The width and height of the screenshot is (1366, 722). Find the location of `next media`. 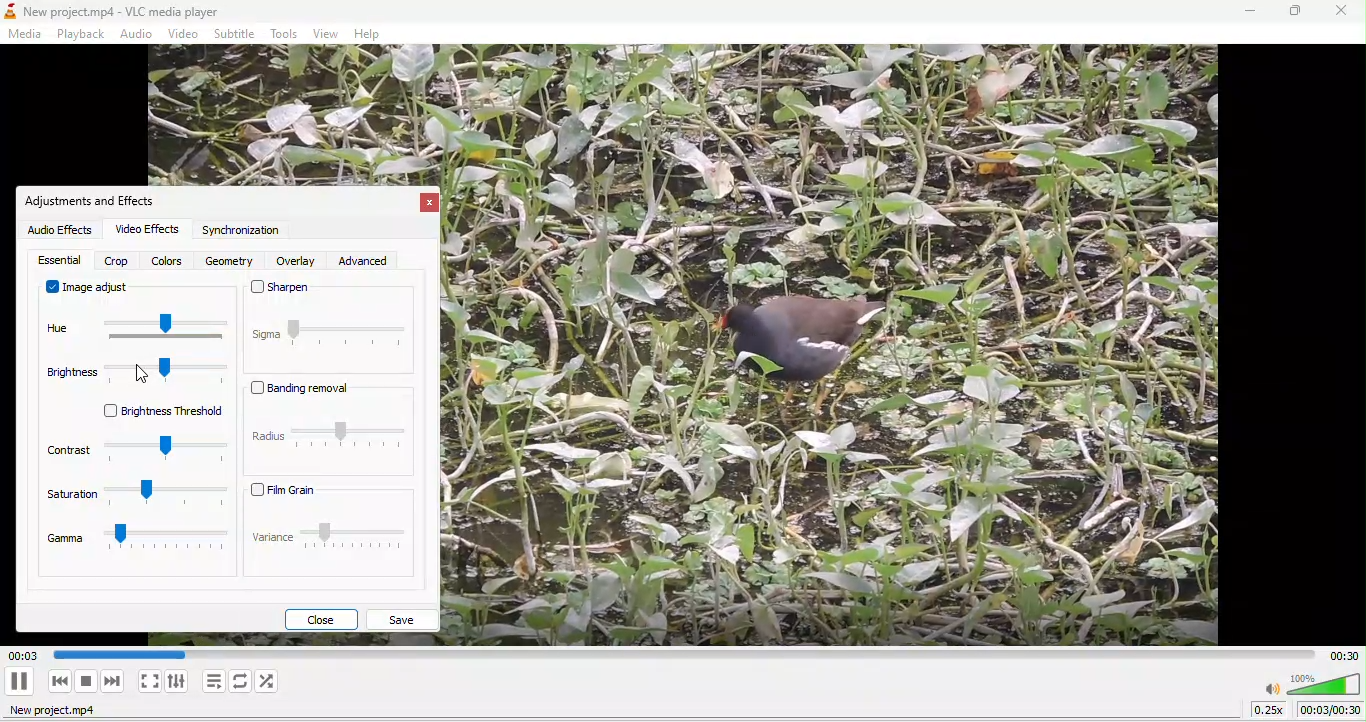

next media is located at coordinates (113, 684).